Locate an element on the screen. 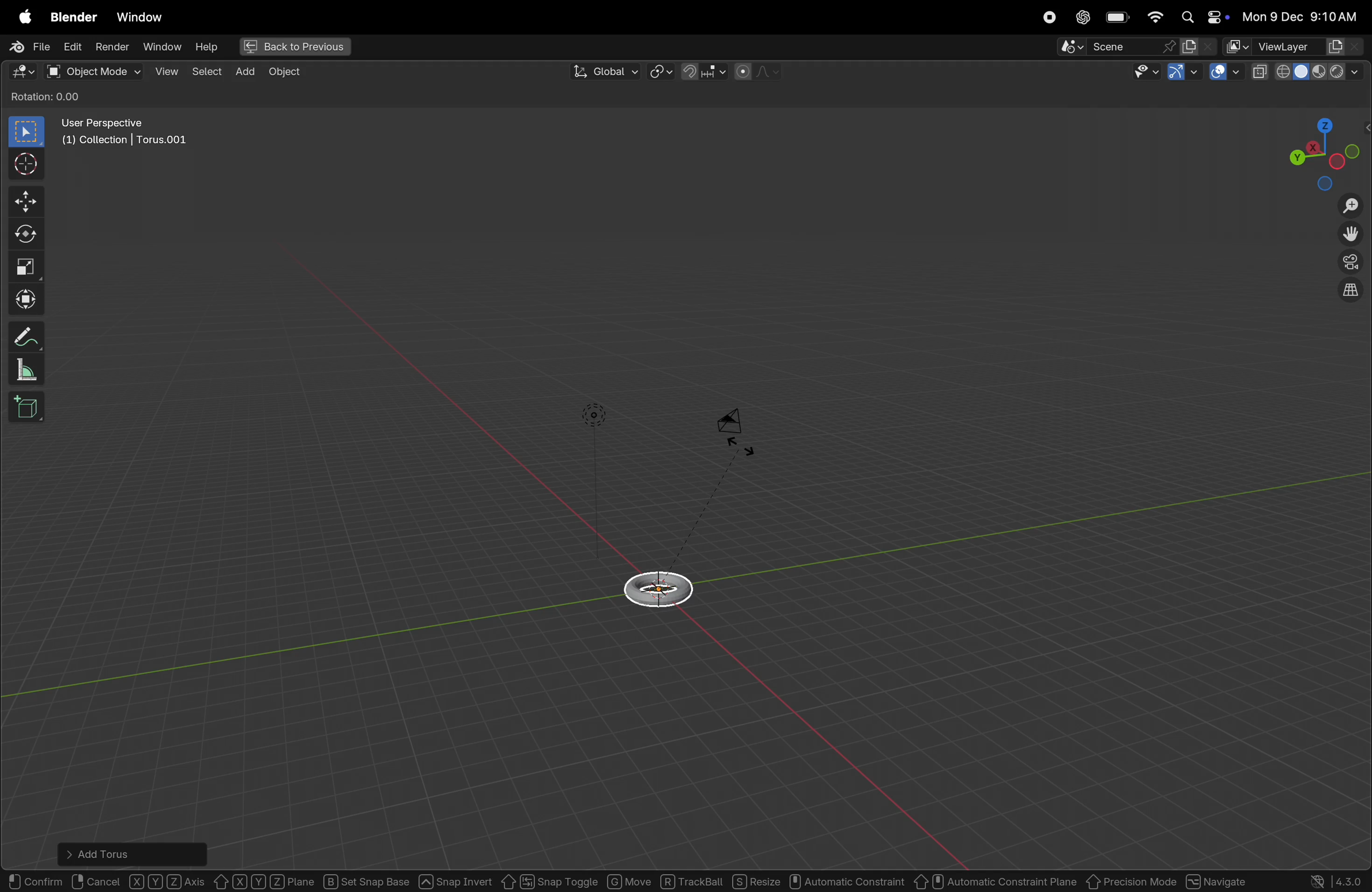  lights is located at coordinates (594, 415).